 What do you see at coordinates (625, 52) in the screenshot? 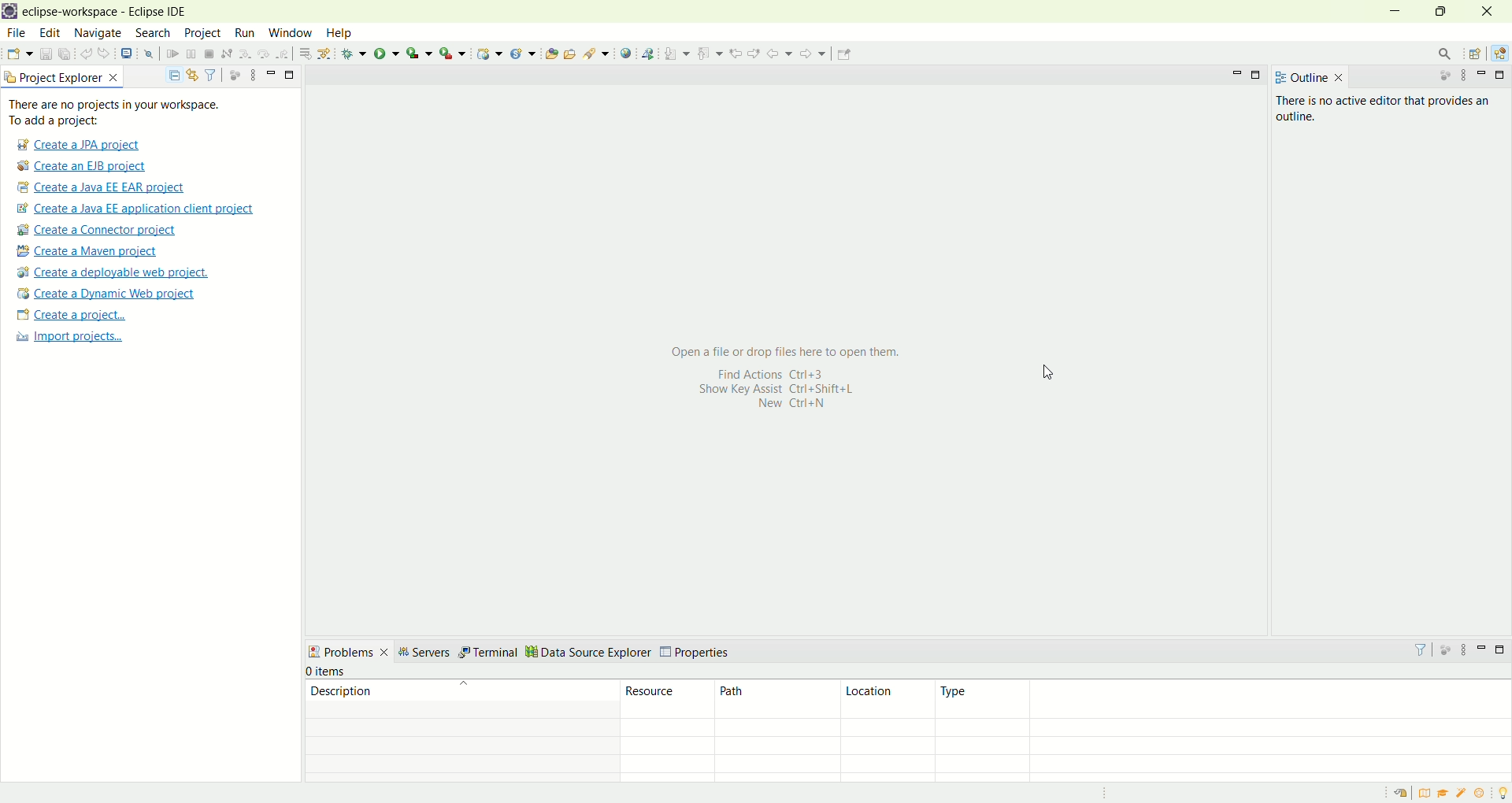
I see `open web browser` at bounding box center [625, 52].